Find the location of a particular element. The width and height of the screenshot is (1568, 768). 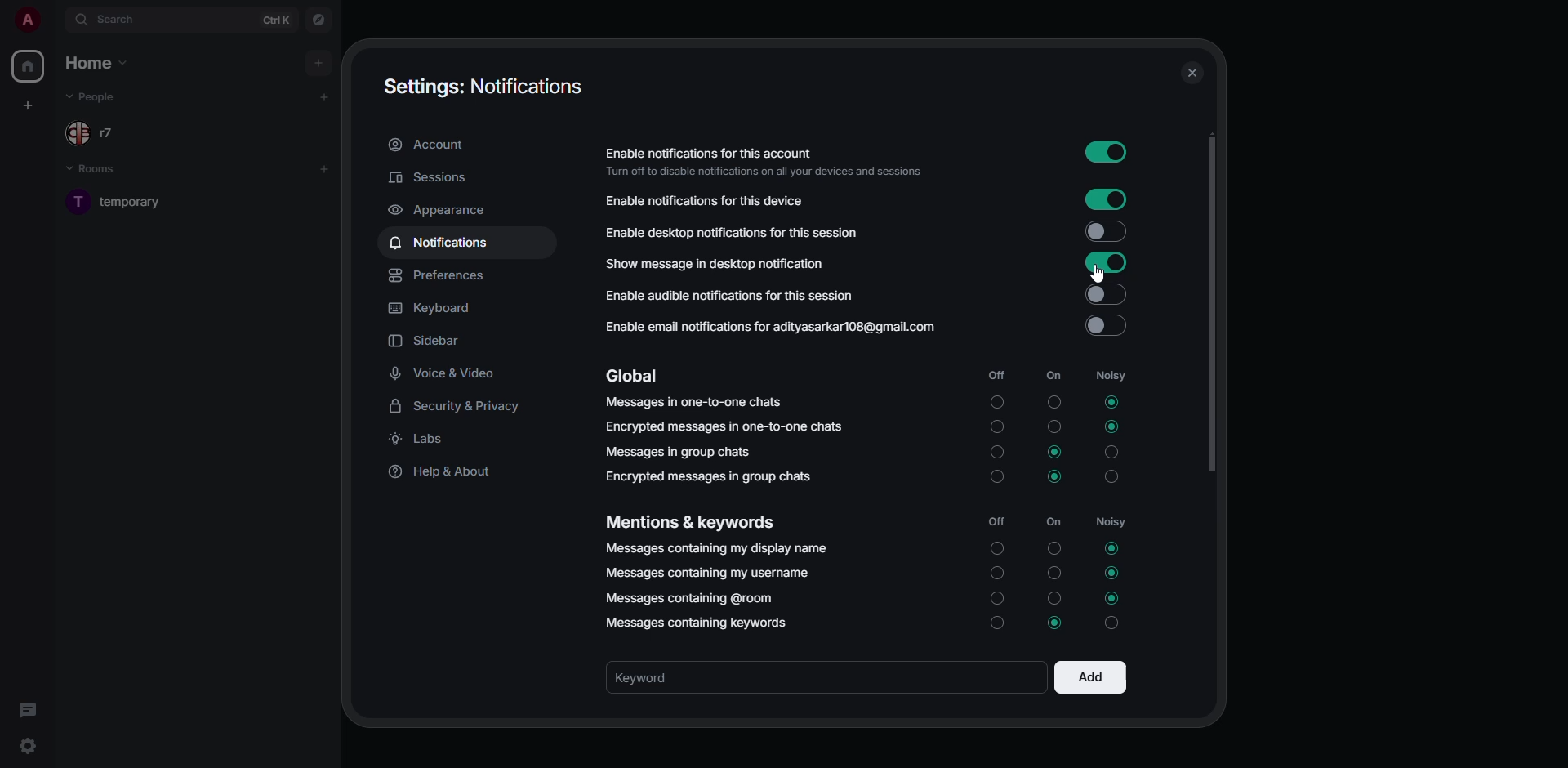

selected is located at coordinates (1110, 400).